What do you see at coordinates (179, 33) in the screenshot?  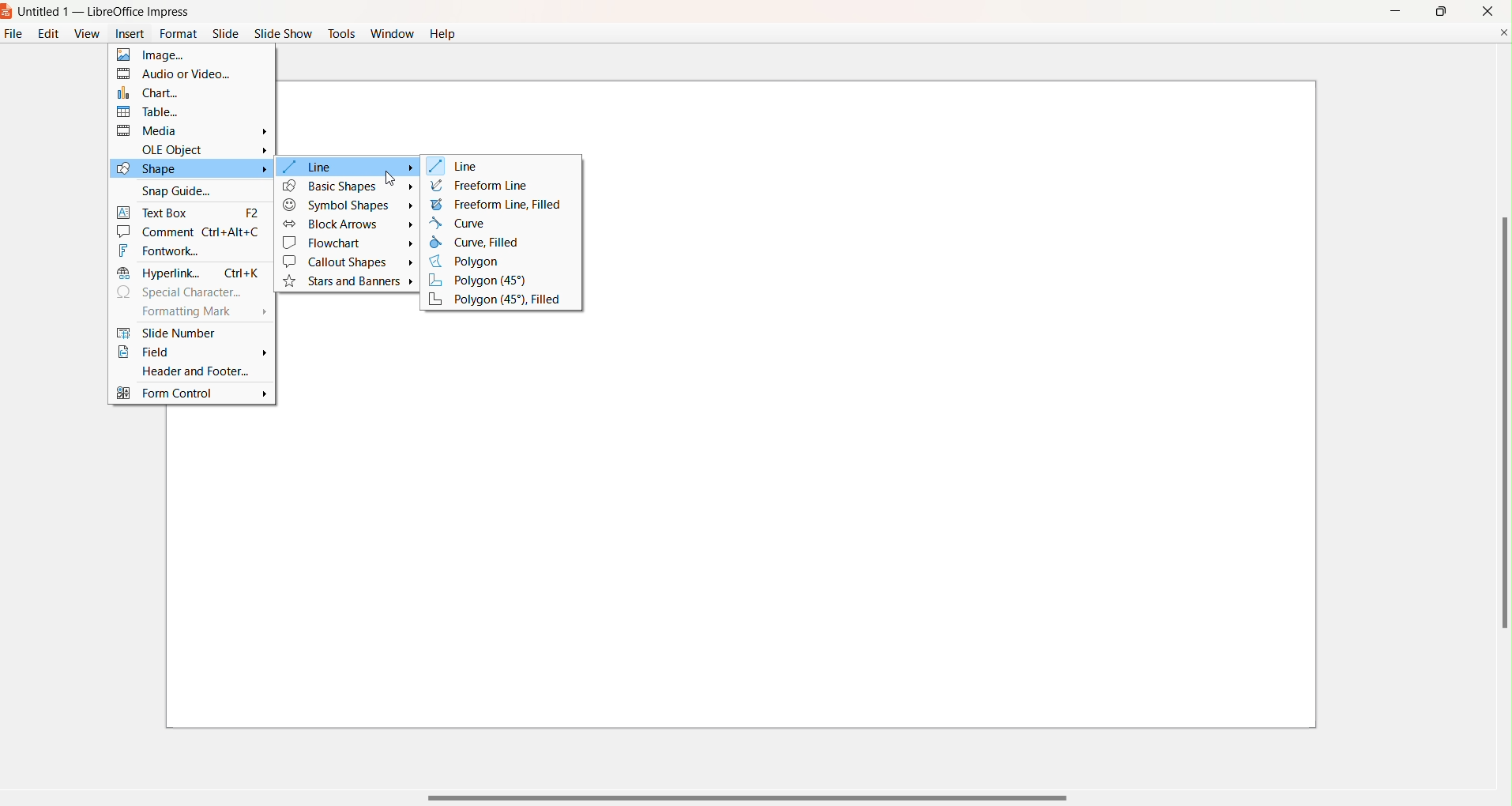 I see `Format` at bounding box center [179, 33].